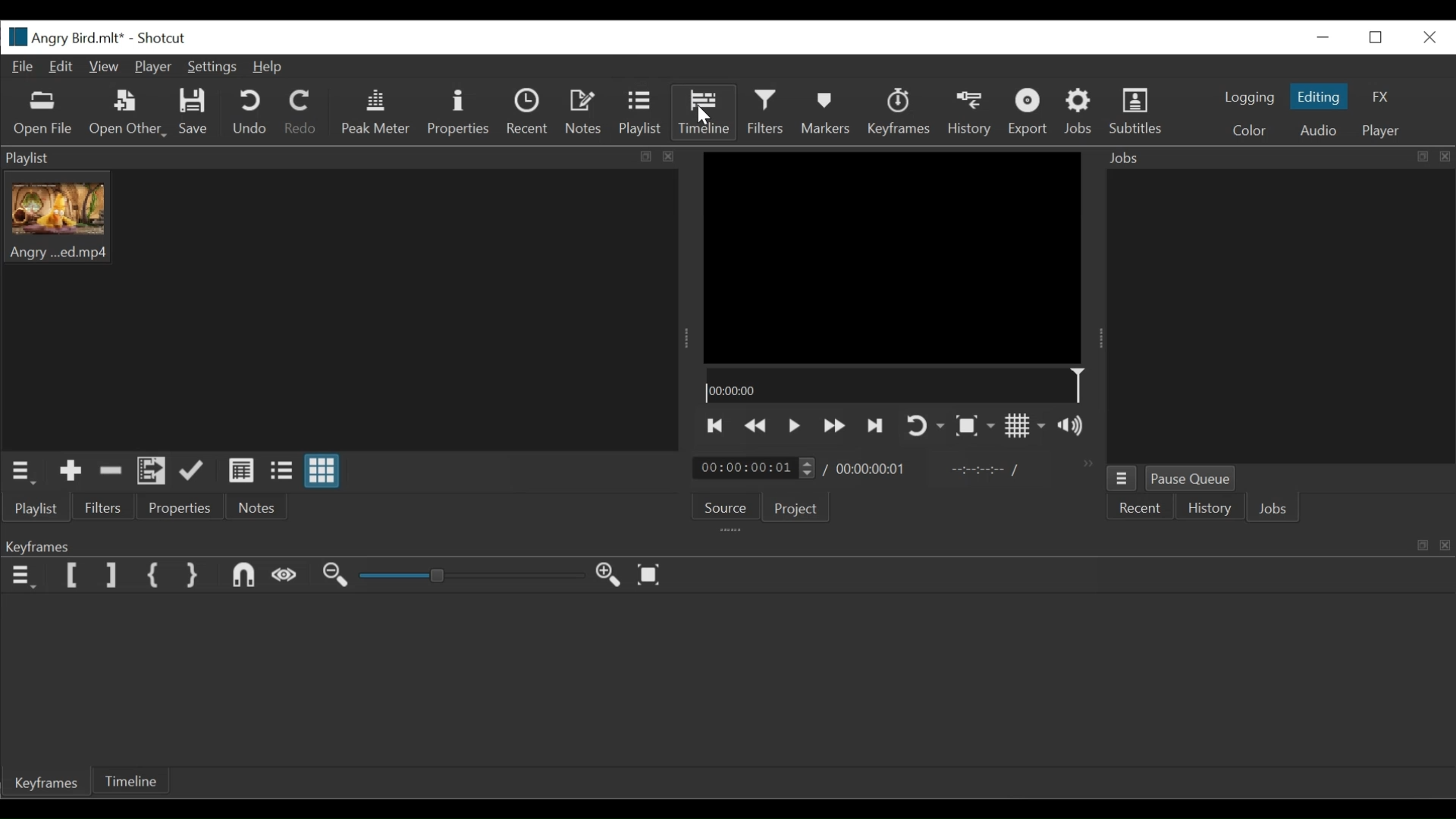  Describe the element at coordinates (755, 468) in the screenshot. I see `Current duration` at that location.